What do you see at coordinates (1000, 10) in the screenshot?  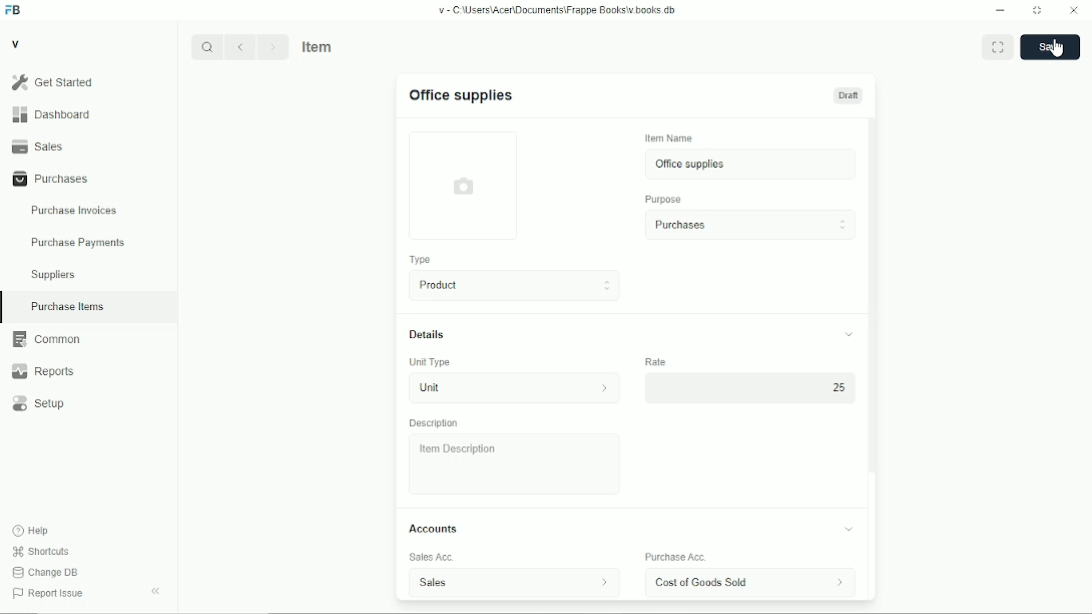 I see `Minimize` at bounding box center [1000, 10].